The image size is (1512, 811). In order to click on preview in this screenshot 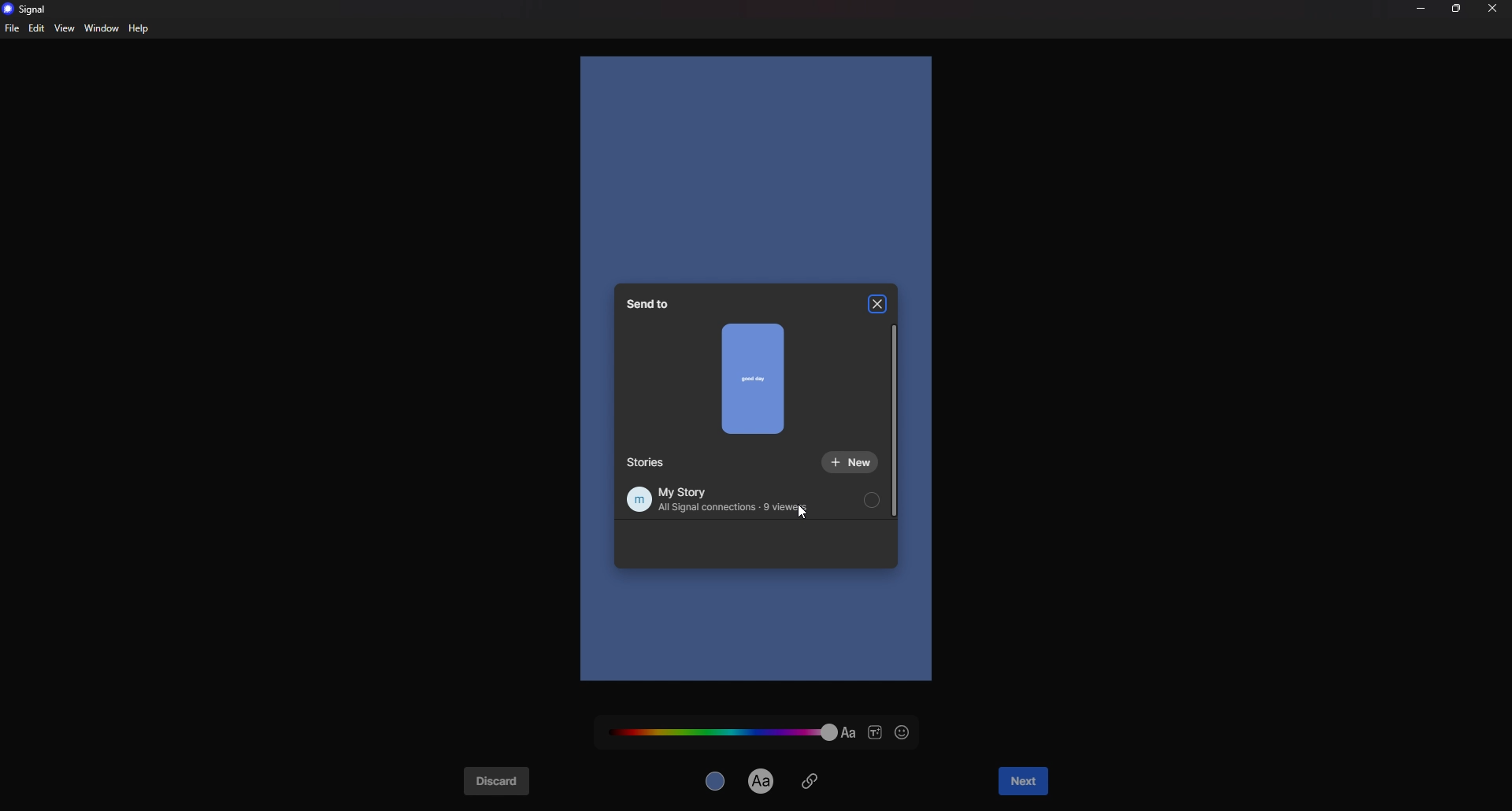, I will do `click(754, 378)`.